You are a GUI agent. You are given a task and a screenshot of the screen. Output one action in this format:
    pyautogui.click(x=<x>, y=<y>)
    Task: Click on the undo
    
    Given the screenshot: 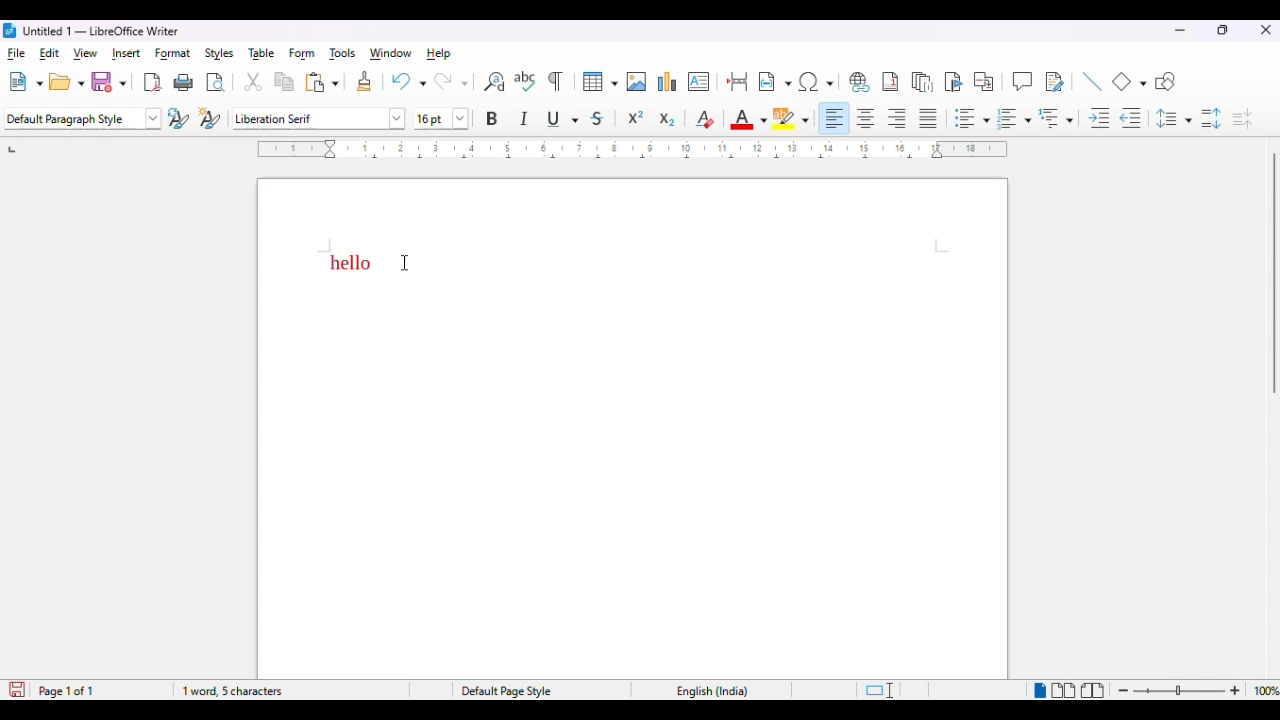 What is the action you would take?
    pyautogui.click(x=408, y=81)
    